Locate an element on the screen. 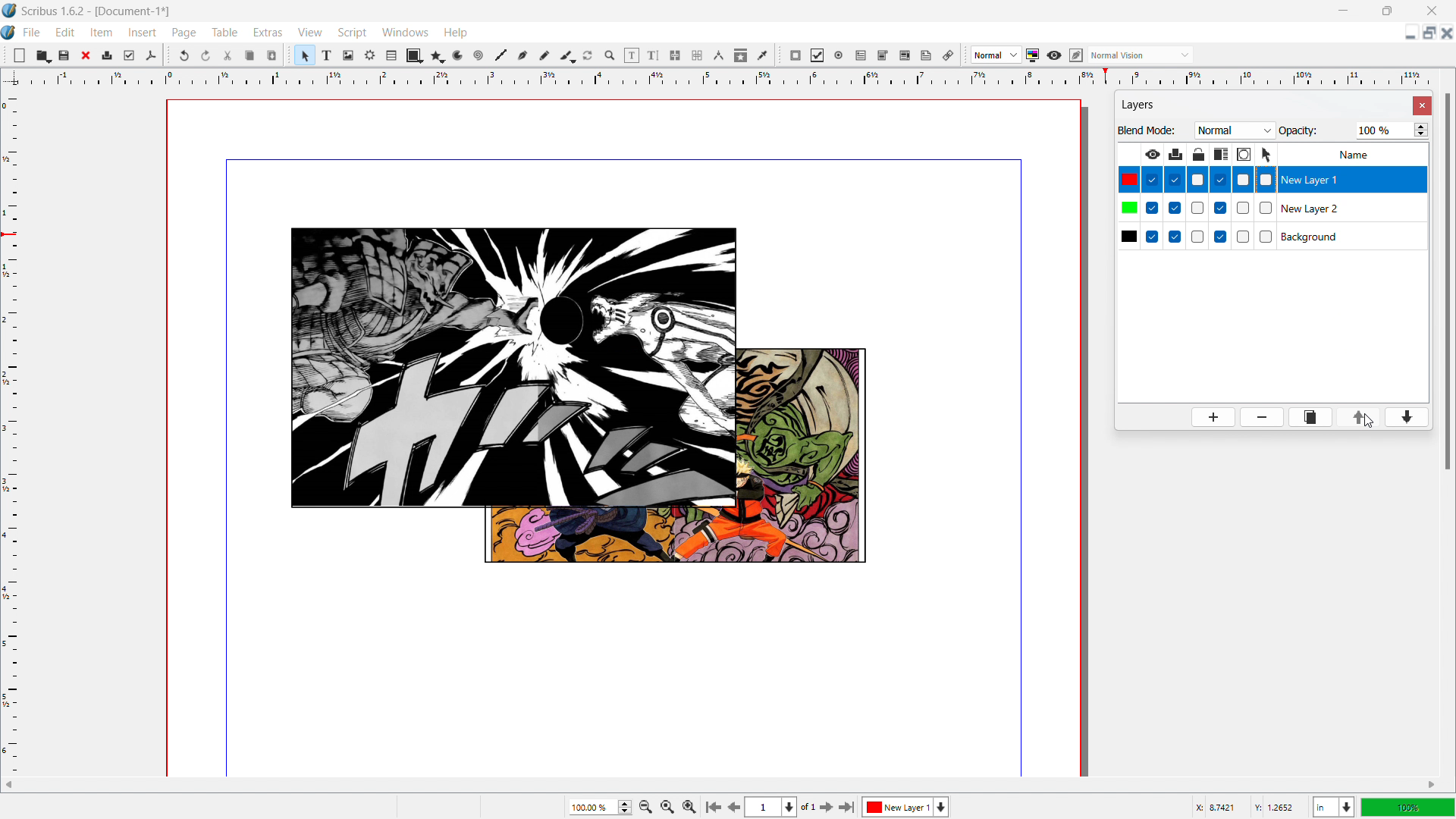  scroll right is located at coordinates (1430, 786).